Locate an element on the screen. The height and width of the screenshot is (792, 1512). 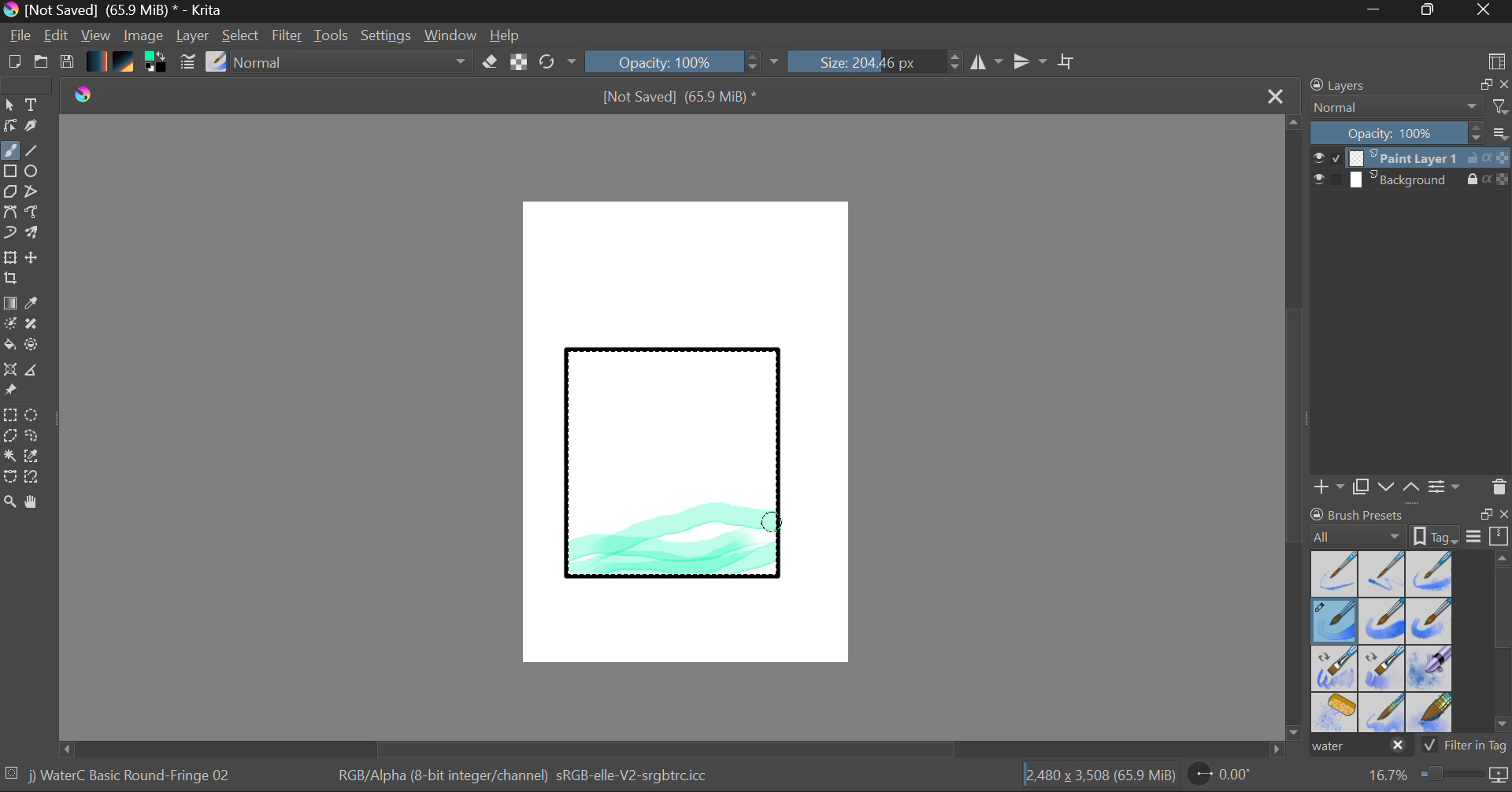
Water C - Grain is located at coordinates (1383, 622).